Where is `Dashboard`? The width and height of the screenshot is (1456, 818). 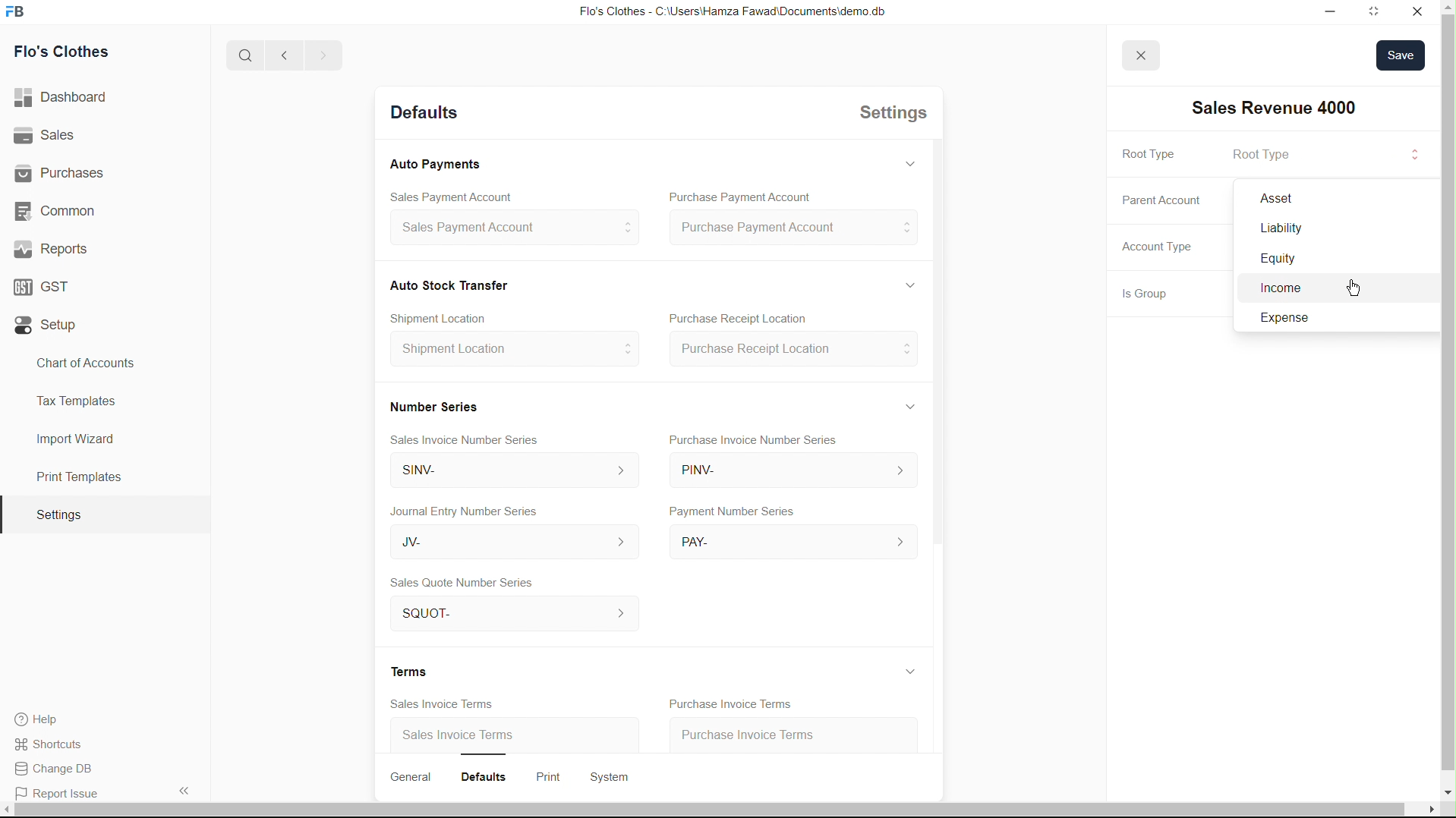 Dashboard is located at coordinates (66, 98).